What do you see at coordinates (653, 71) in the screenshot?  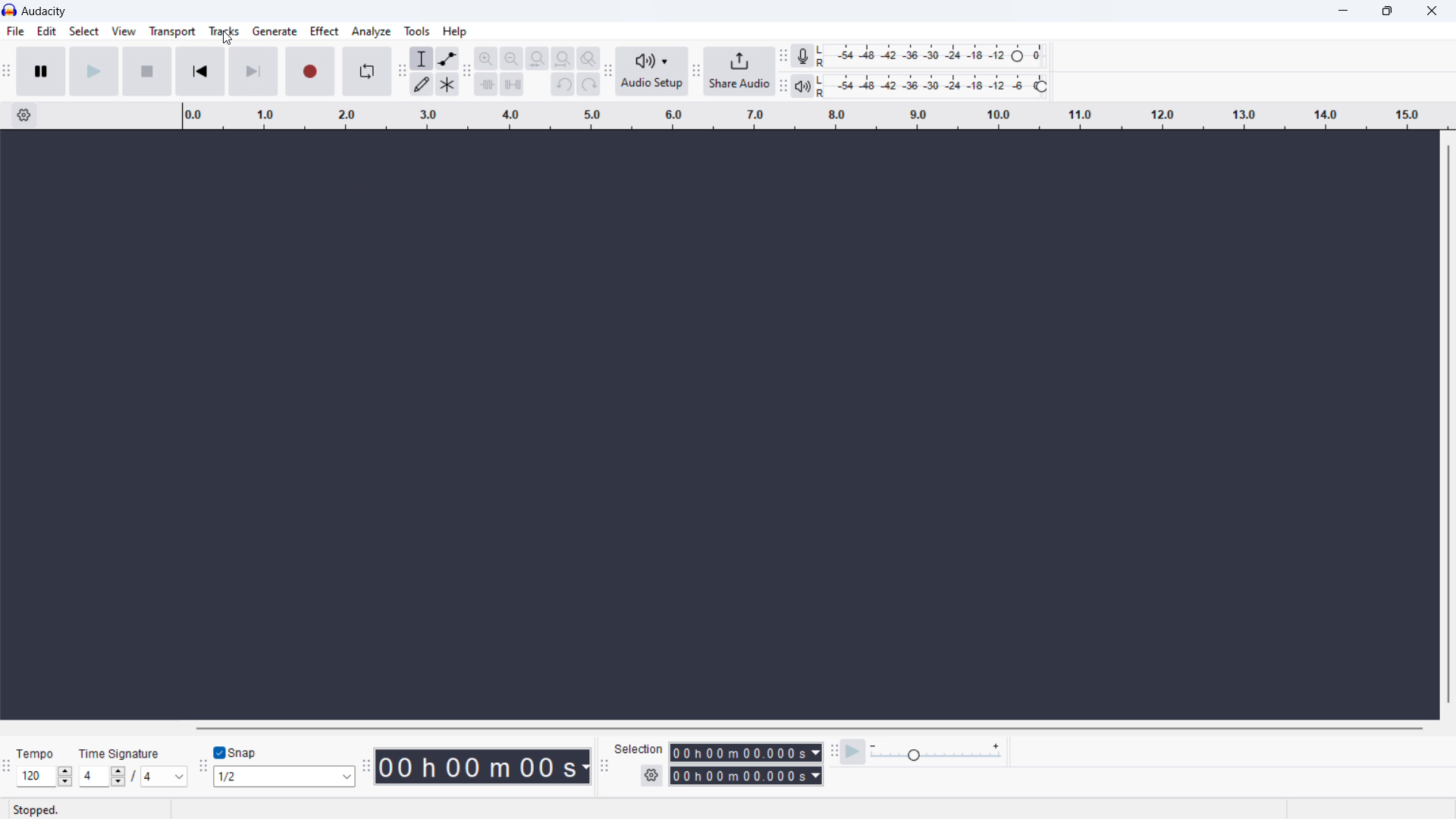 I see `audio setup` at bounding box center [653, 71].